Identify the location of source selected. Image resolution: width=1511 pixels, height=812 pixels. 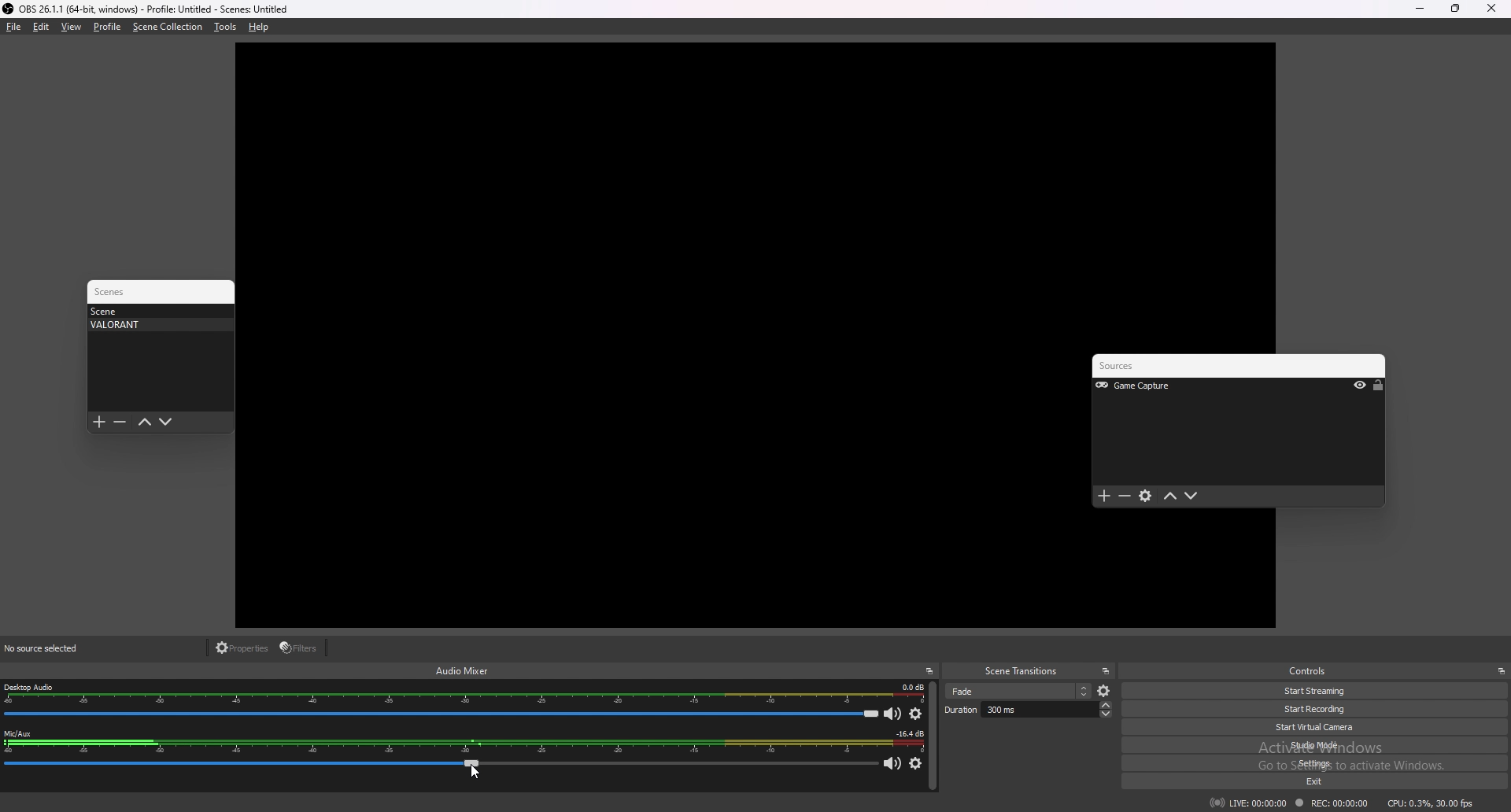
(52, 648).